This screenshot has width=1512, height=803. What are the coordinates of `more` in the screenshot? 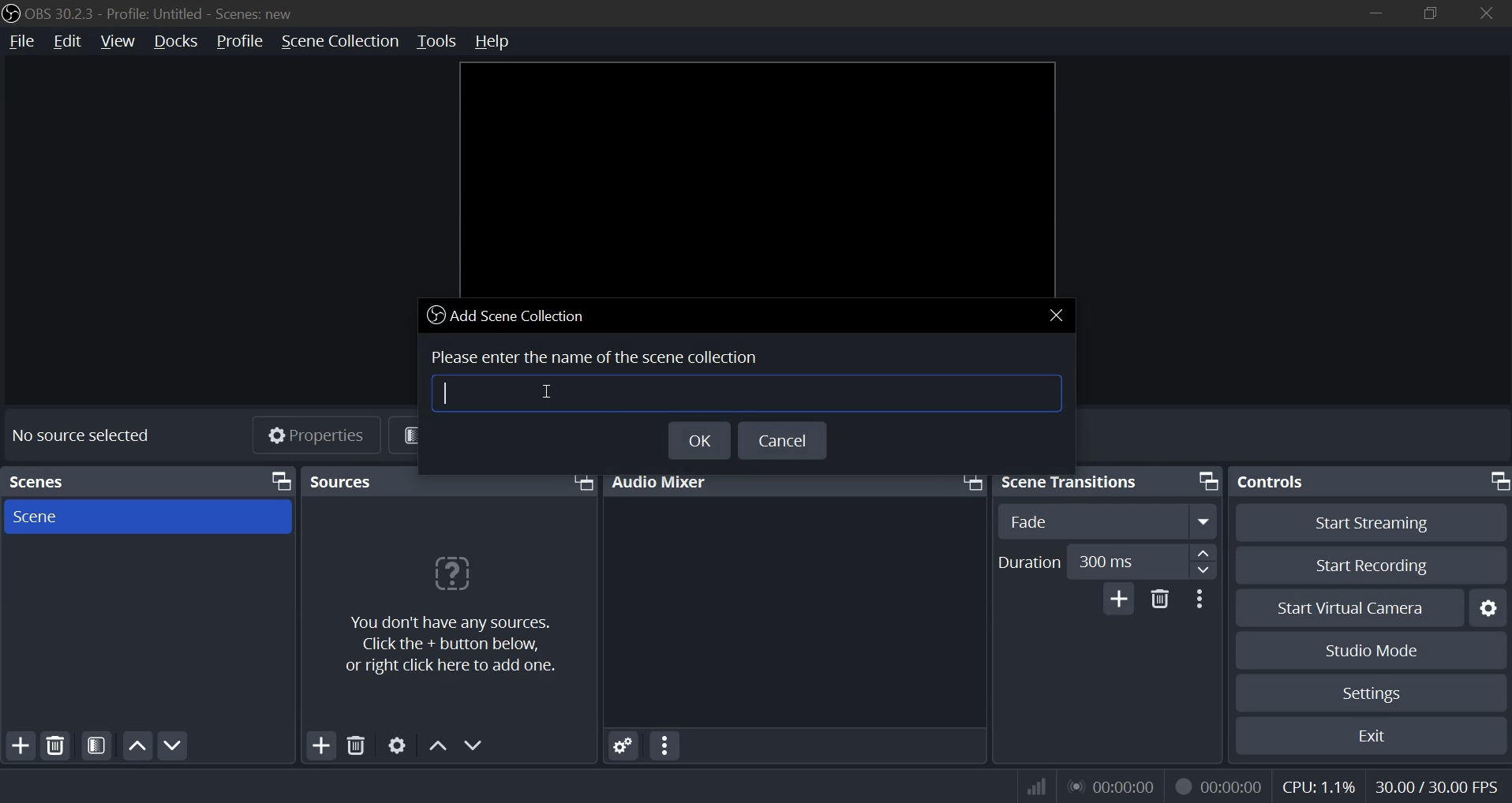 It's located at (1203, 599).